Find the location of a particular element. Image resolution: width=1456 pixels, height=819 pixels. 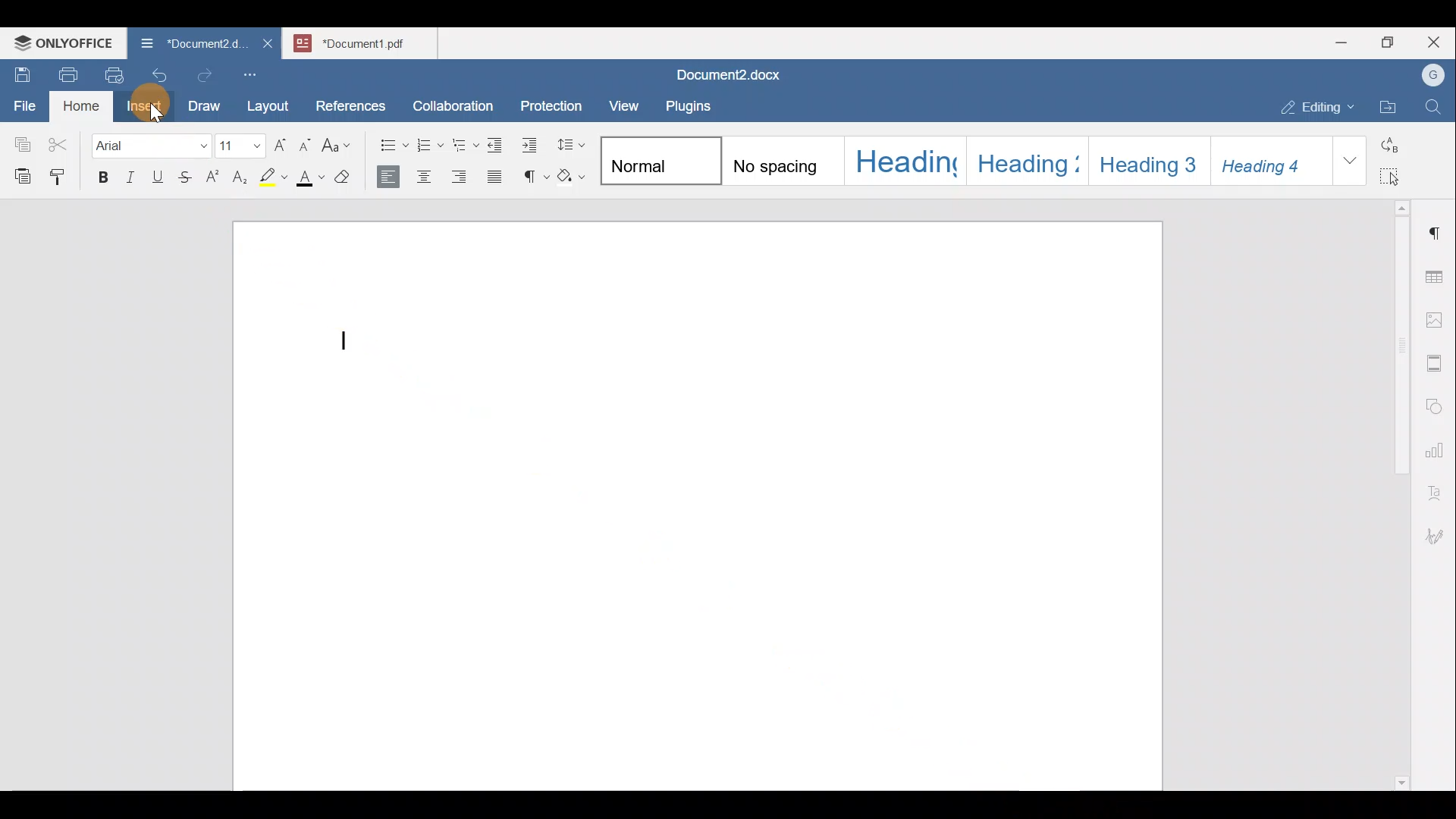

Align right is located at coordinates (459, 174).